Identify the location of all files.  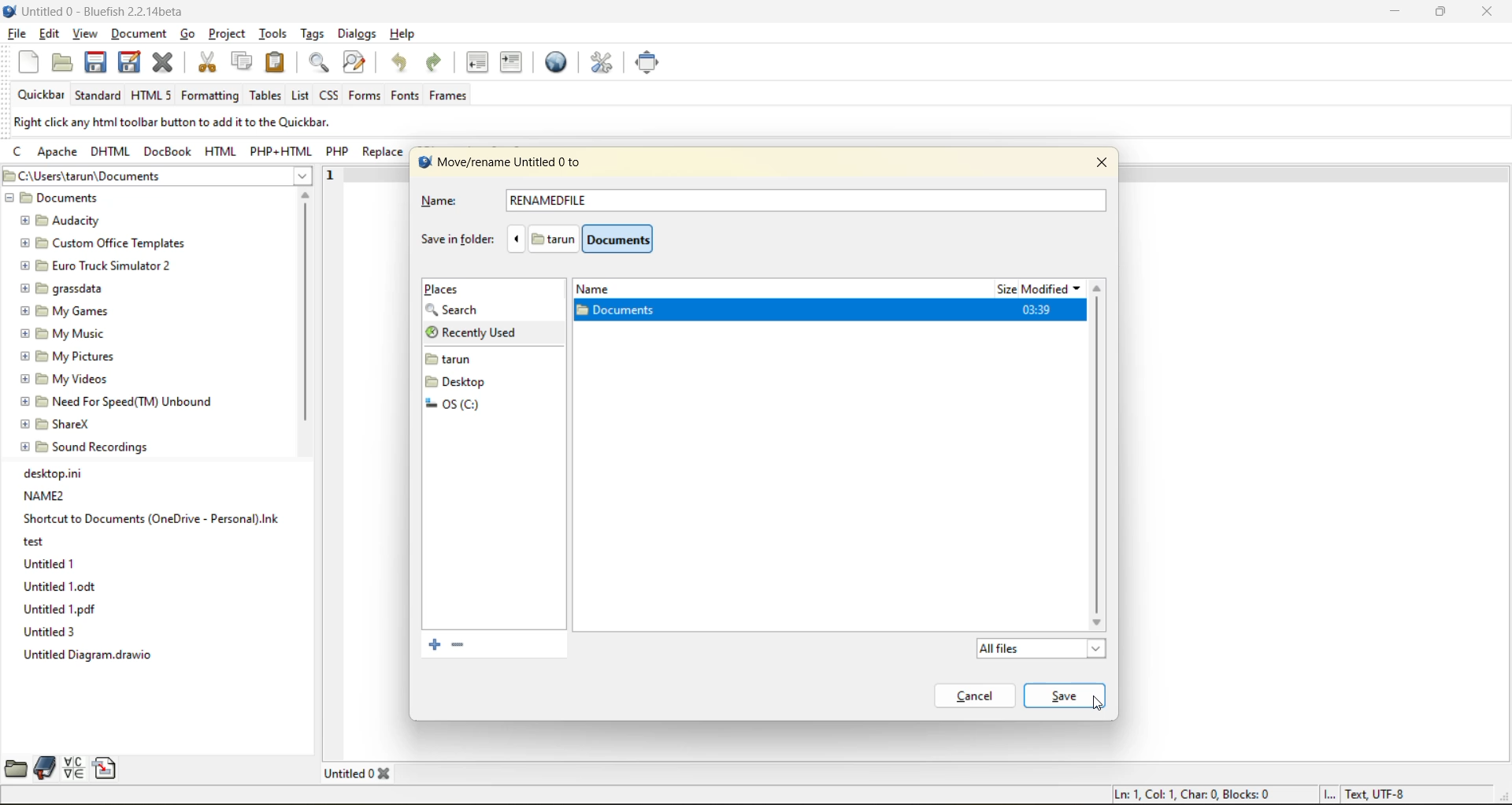
(1044, 647).